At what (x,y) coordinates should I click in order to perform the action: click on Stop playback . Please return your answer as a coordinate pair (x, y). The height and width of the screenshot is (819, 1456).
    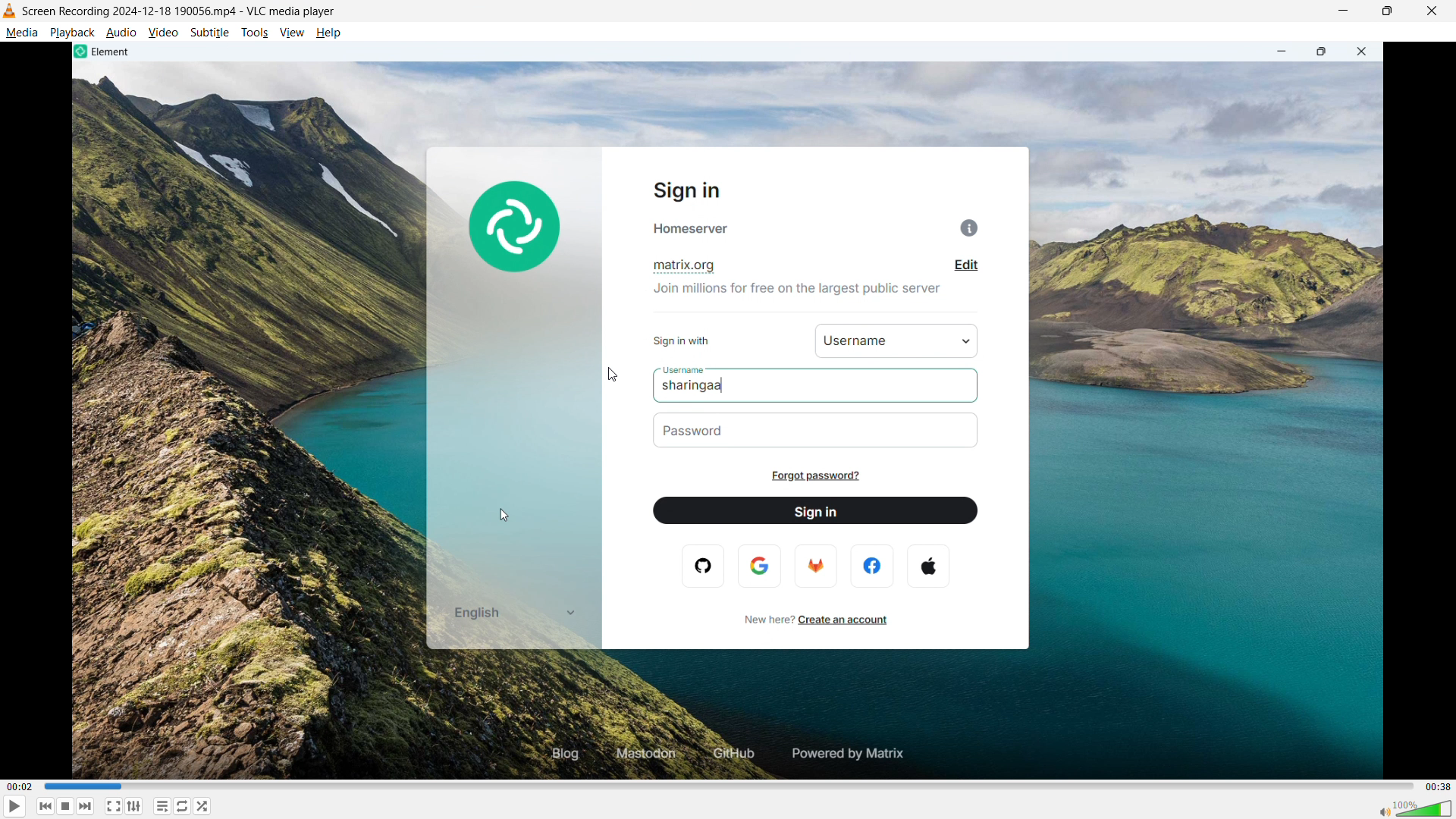
    Looking at the image, I should click on (72, 805).